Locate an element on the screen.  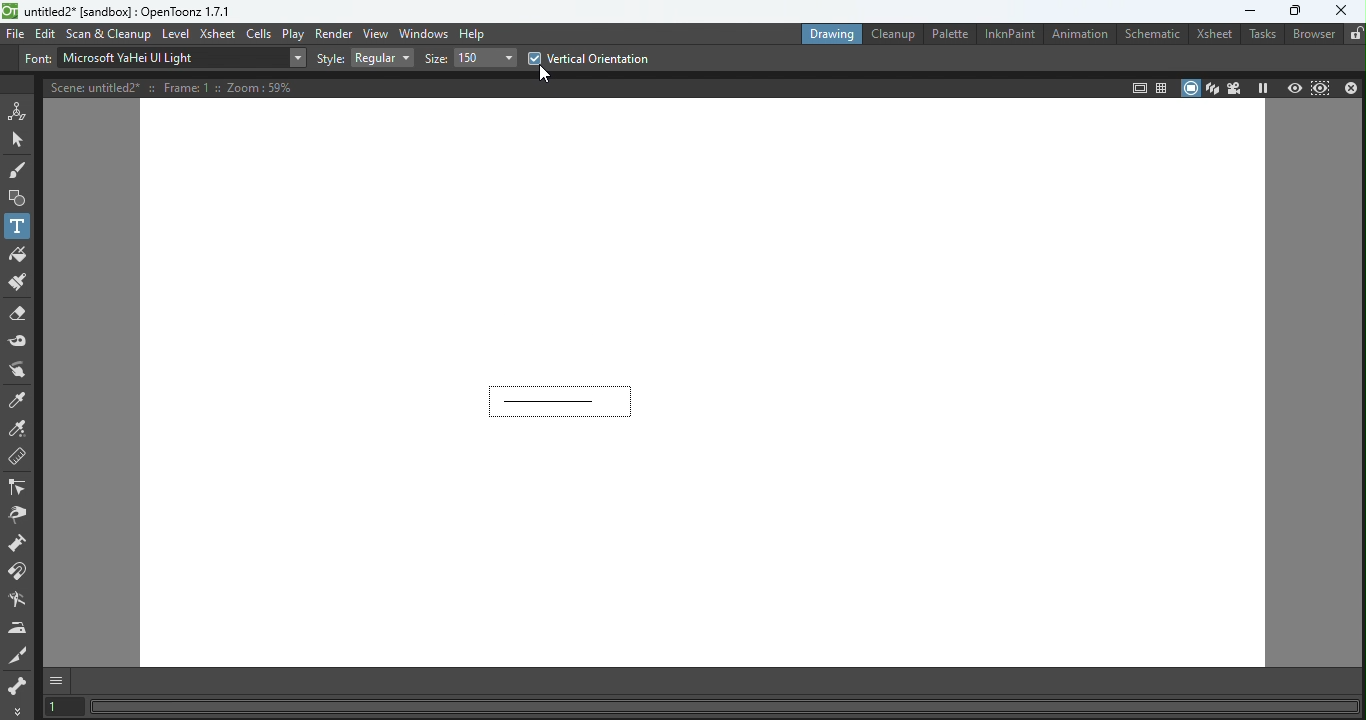
Geometric tool is located at coordinates (19, 196).